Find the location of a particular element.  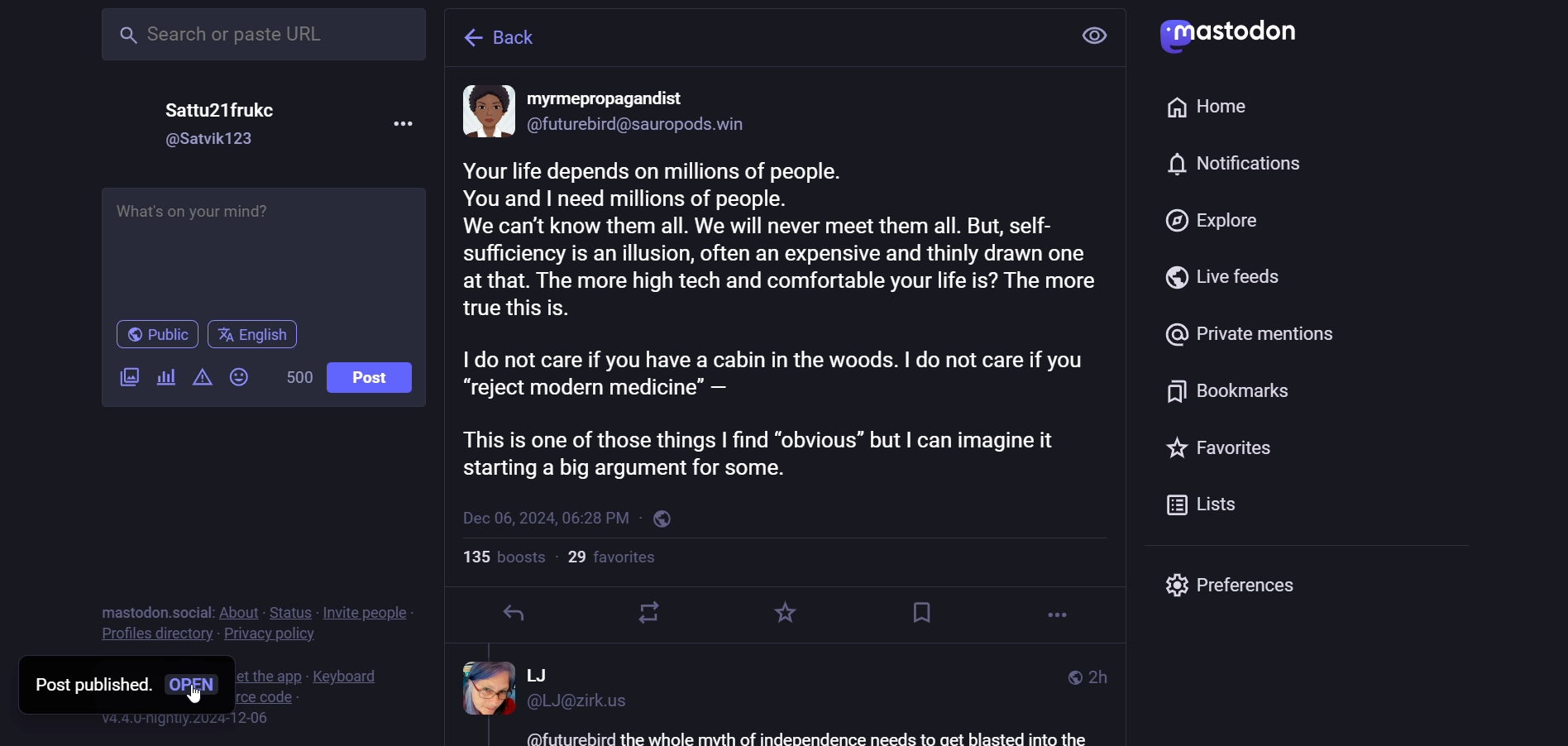

boosts is located at coordinates (502, 557).